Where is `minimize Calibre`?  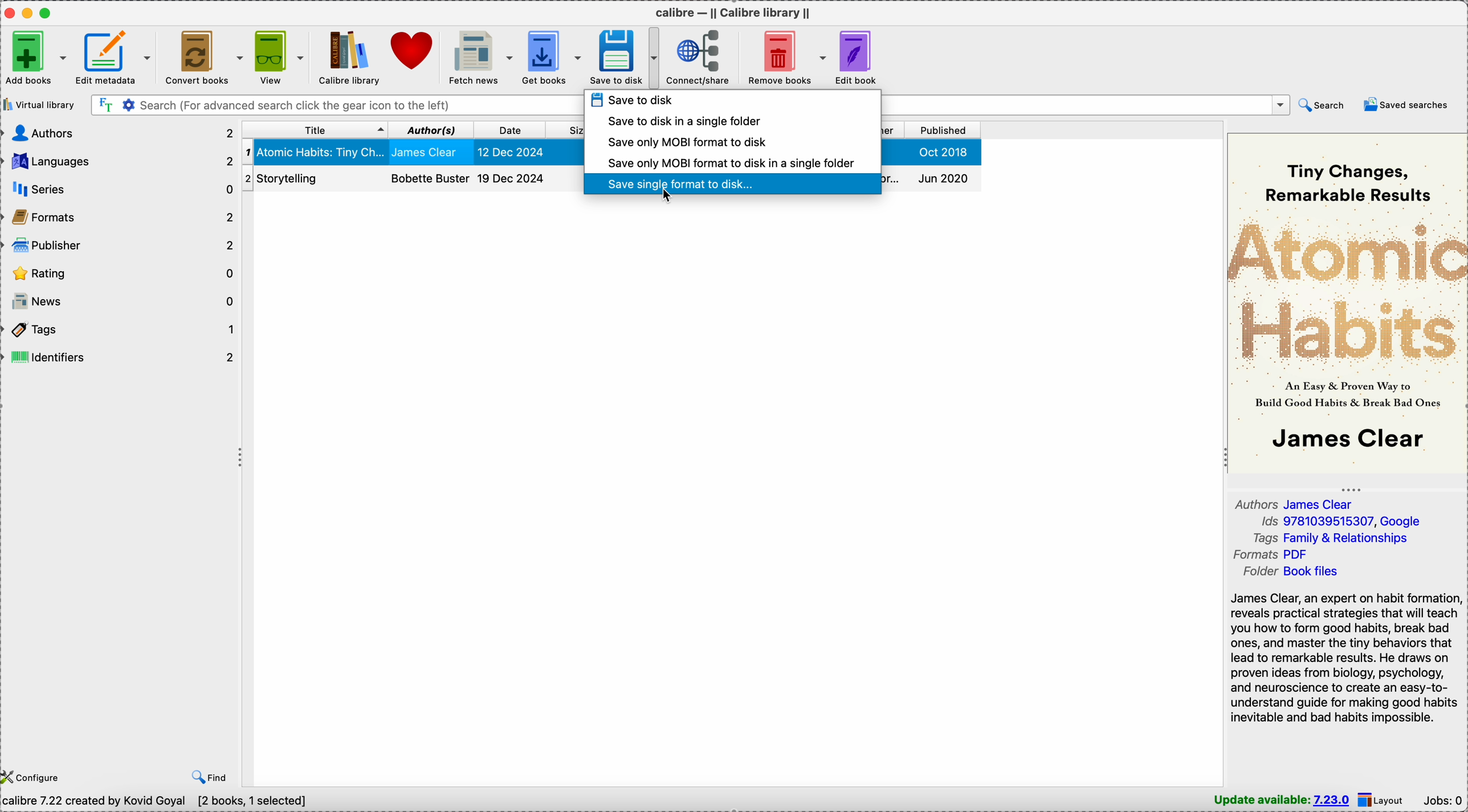
minimize Calibre is located at coordinates (30, 13).